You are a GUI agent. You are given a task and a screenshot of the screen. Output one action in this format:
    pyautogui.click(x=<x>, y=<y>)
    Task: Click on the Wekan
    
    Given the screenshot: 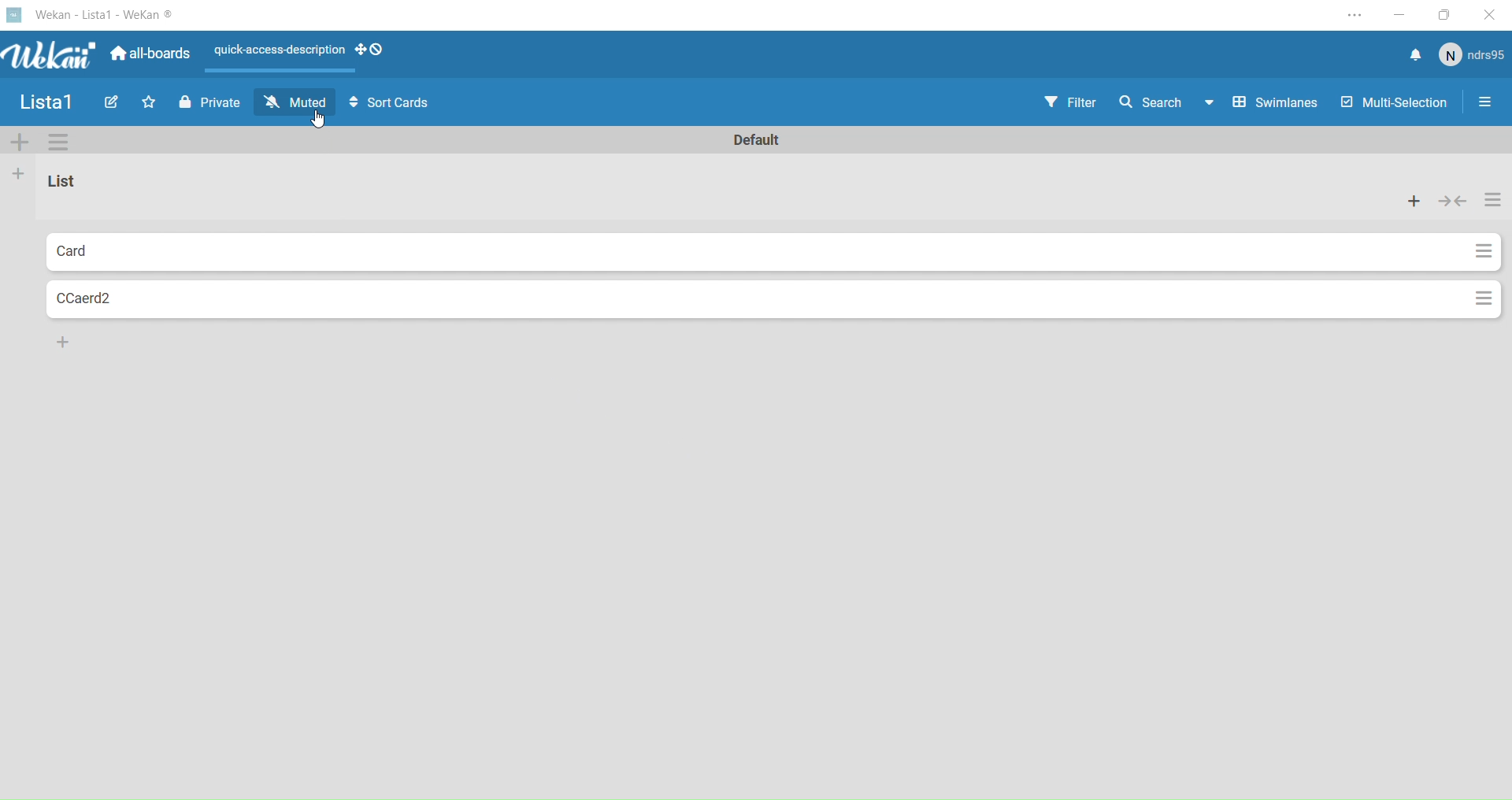 What is the action you would take?
    pyautogui.click(x=91, y=17)
    